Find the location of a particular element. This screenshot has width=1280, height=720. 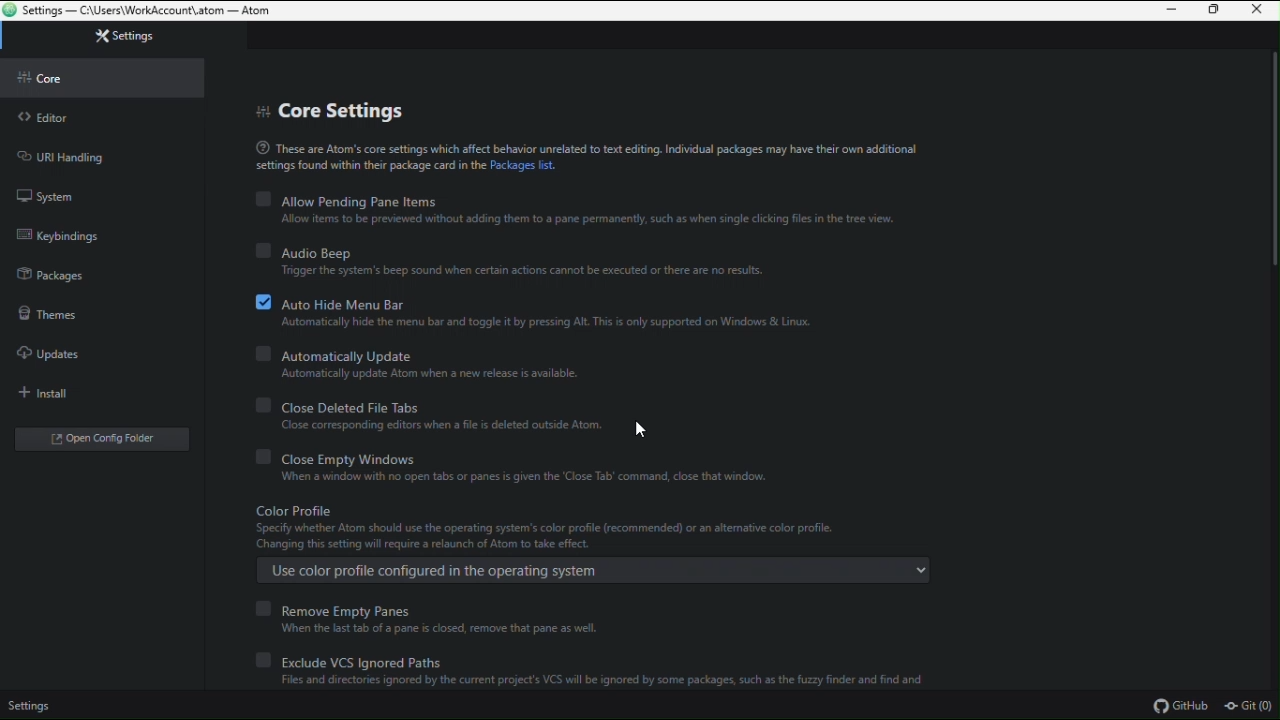

automatically update is located at coordinates (470, 352).